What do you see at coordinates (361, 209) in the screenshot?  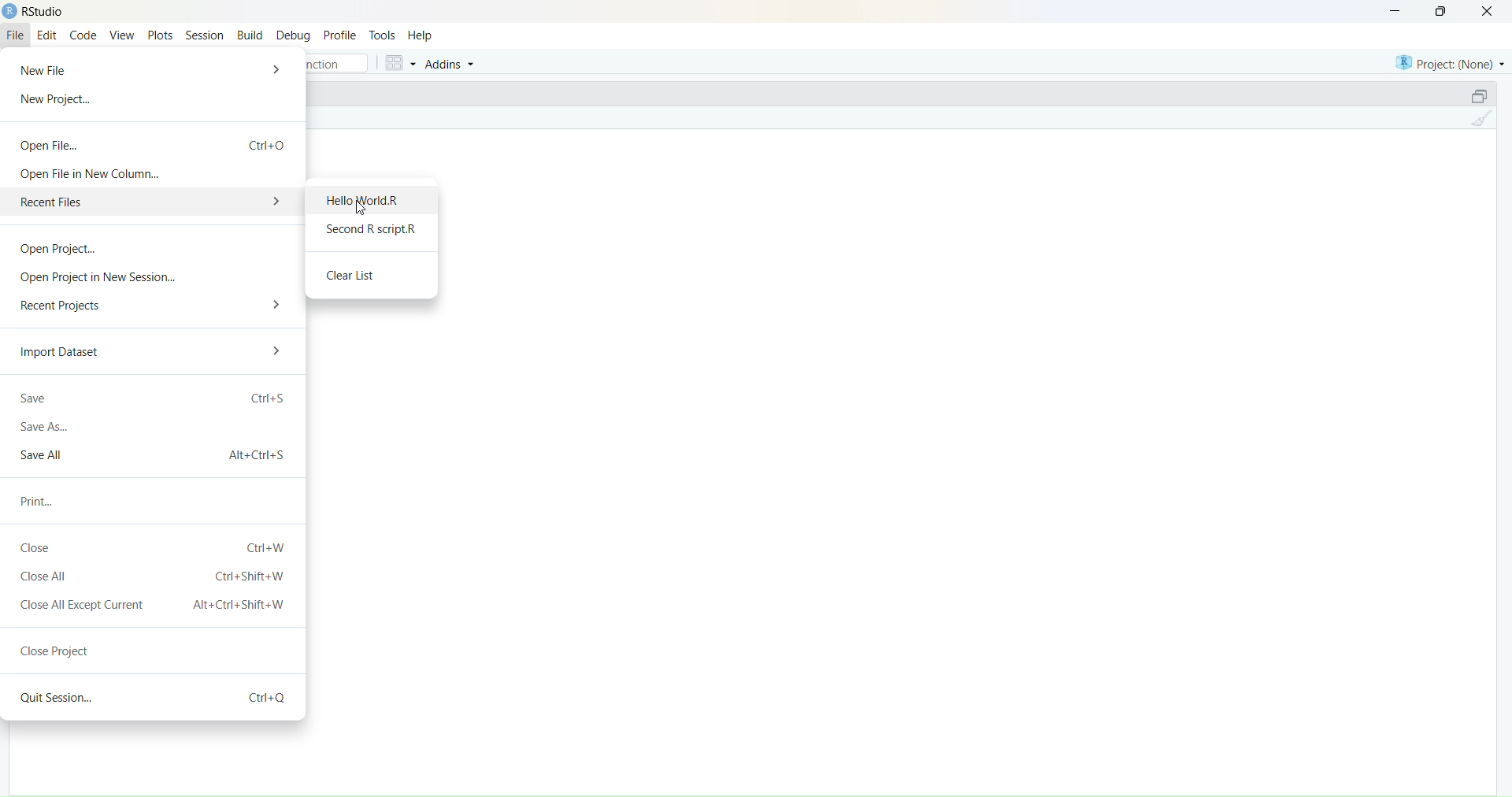 I see `Cursor` at bounding box center [361, 209].